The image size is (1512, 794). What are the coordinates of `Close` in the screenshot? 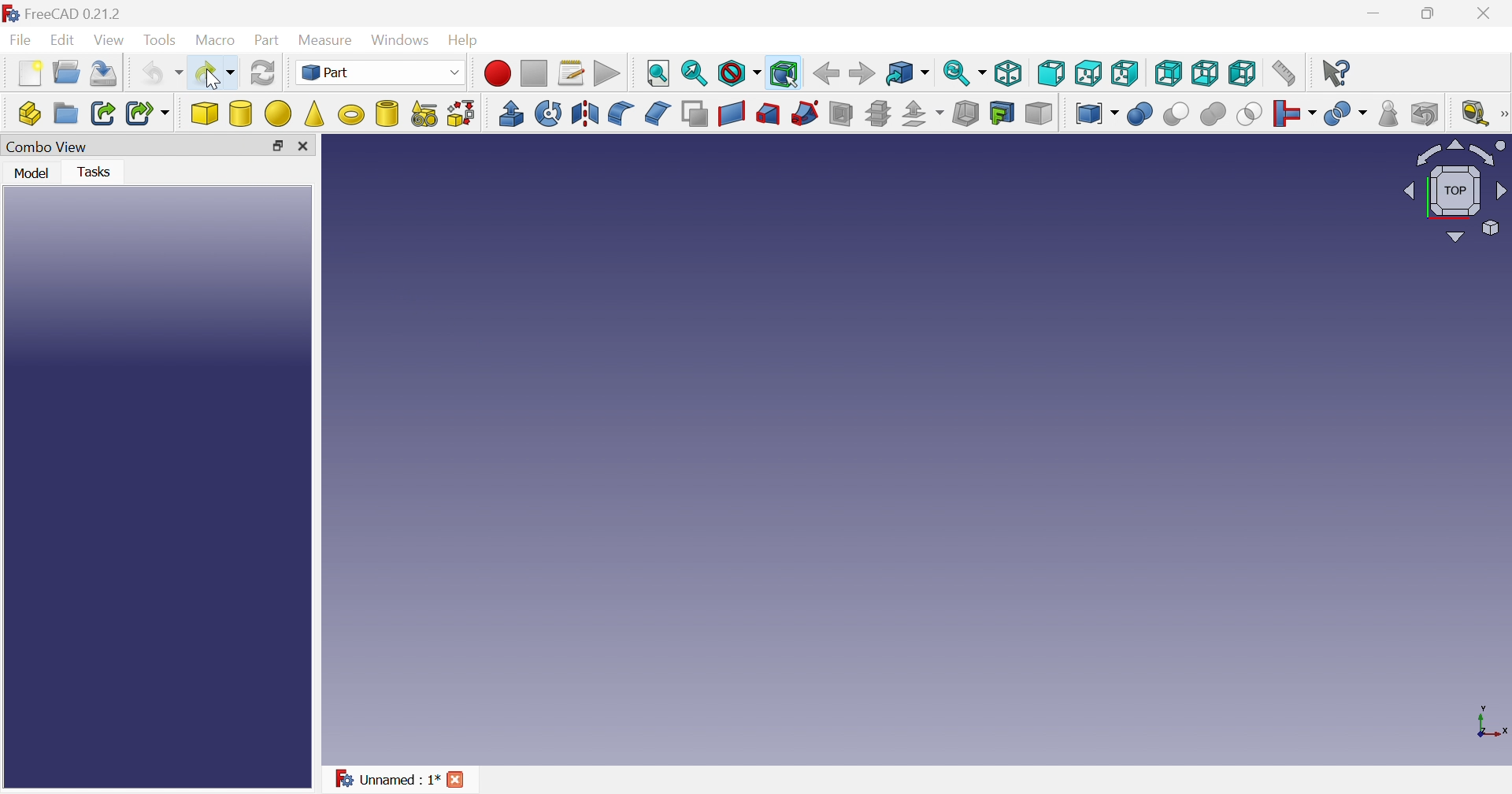 It's located at (305, 147).